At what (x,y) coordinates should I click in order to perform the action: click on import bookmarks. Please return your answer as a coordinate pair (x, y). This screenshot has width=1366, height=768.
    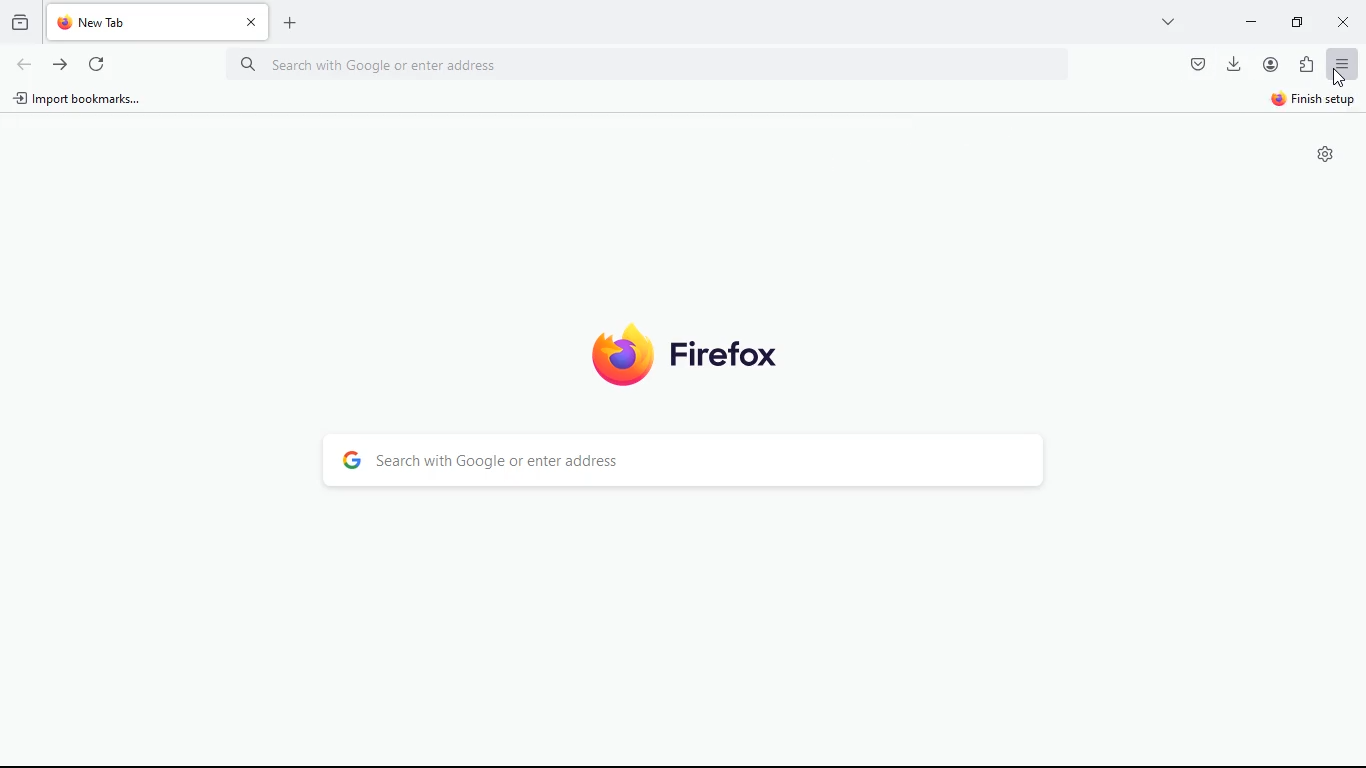
    Looking at the image, I should click on (84, 103).